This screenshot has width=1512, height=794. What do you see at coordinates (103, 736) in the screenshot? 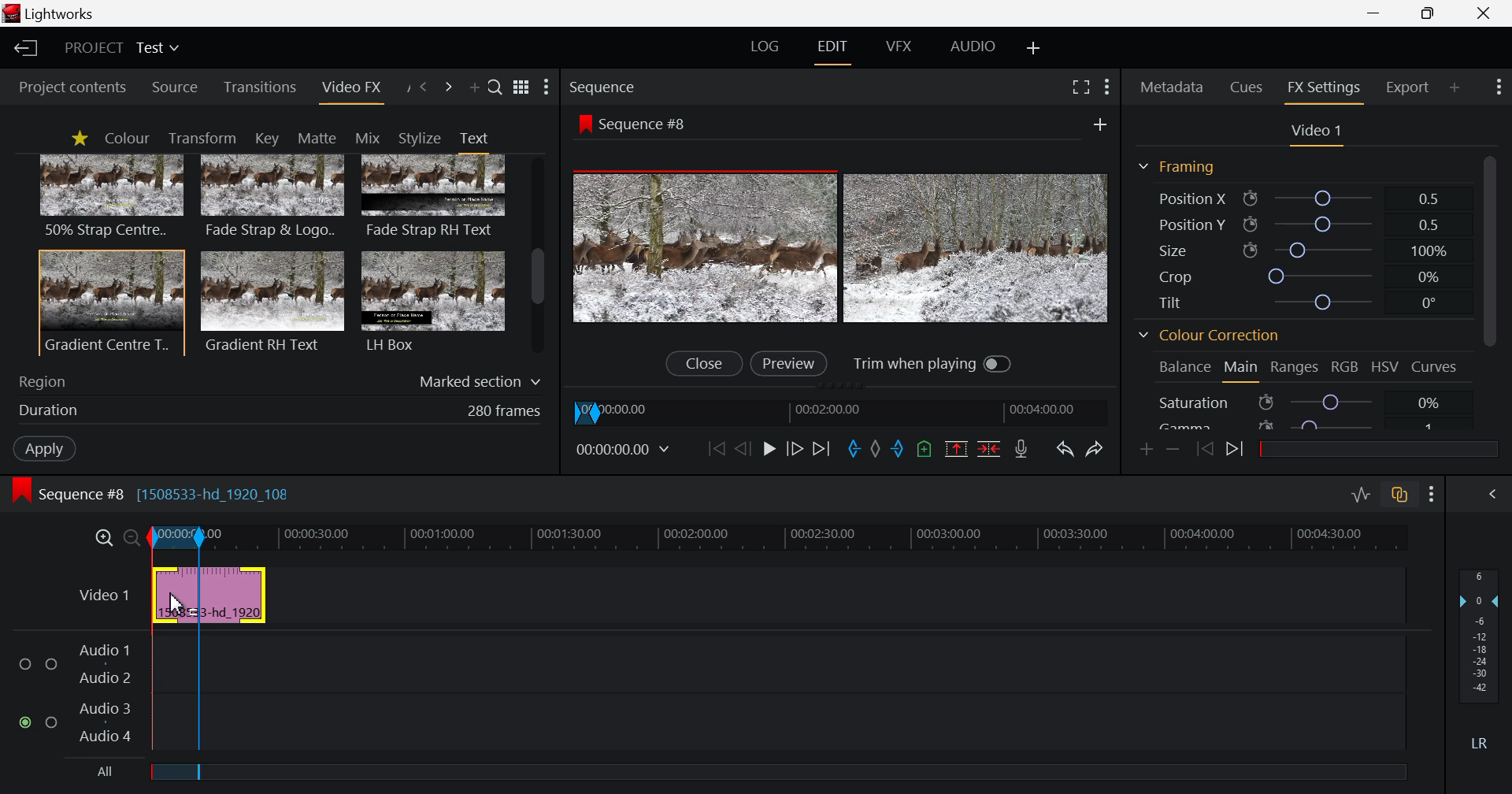
I see `audio 4` at bounding box center [103, 736].